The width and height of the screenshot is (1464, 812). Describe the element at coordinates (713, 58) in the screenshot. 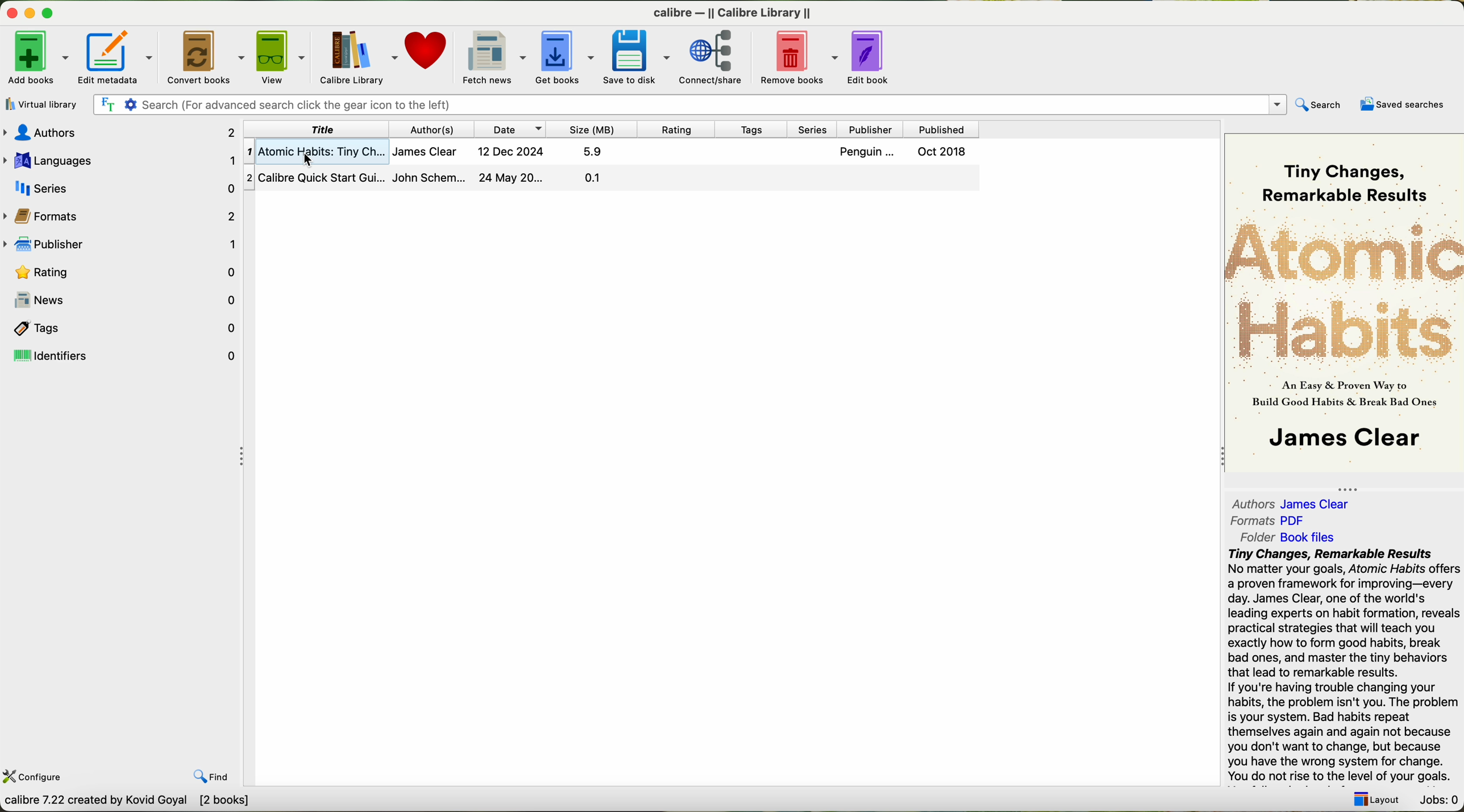

I see `connect/share` at that location.